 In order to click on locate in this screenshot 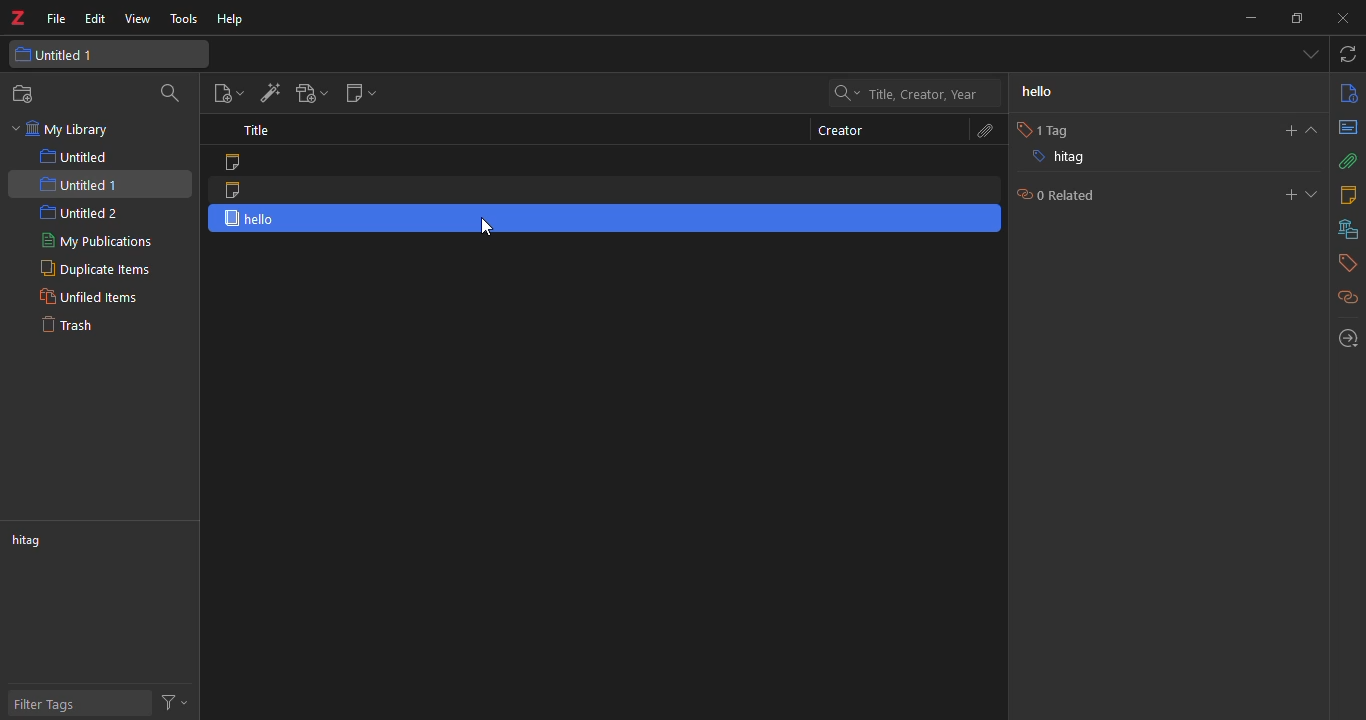, I will do `click(1343, 339)`.